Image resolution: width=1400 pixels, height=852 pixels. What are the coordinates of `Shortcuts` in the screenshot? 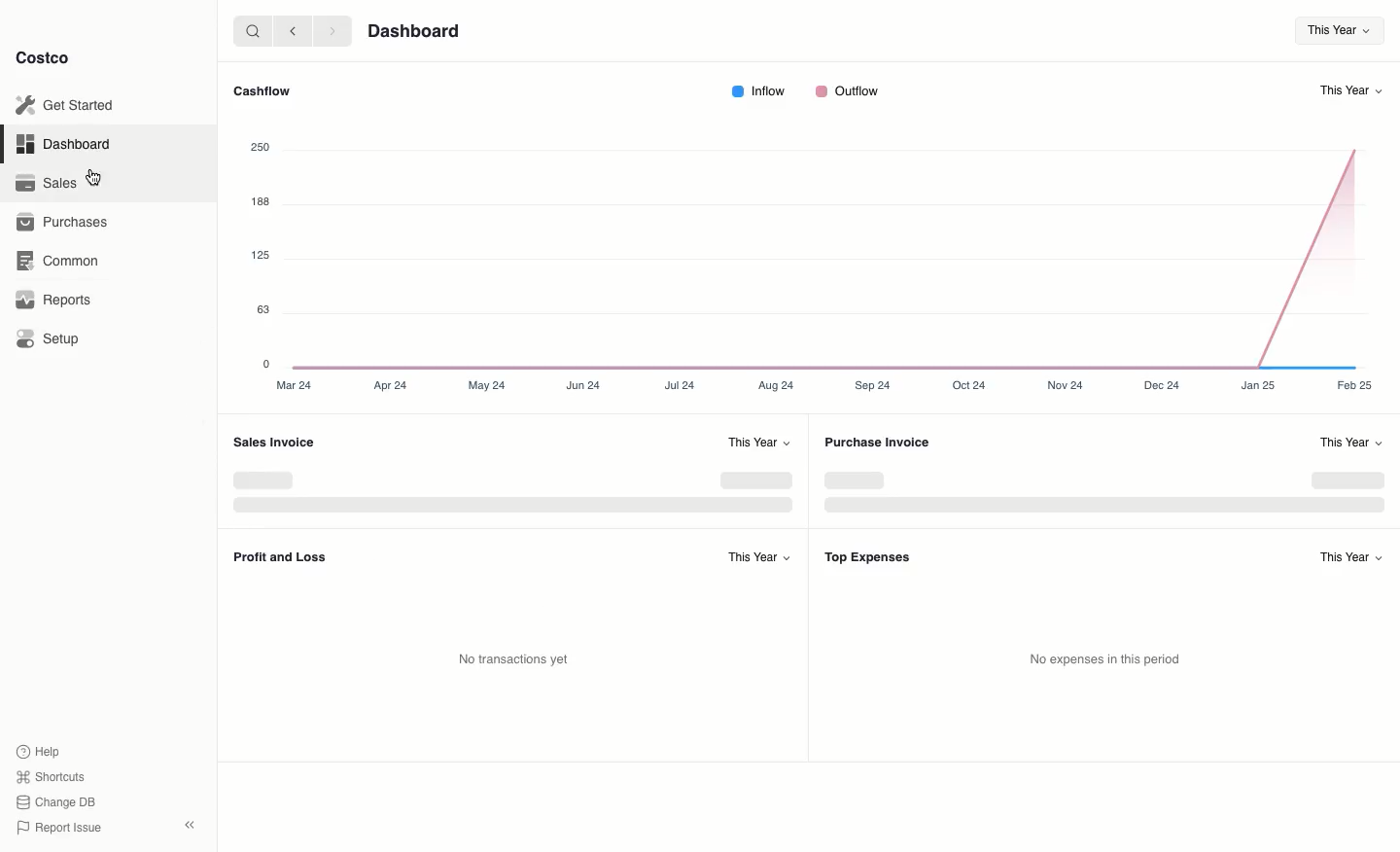 It's located at (50, 775).